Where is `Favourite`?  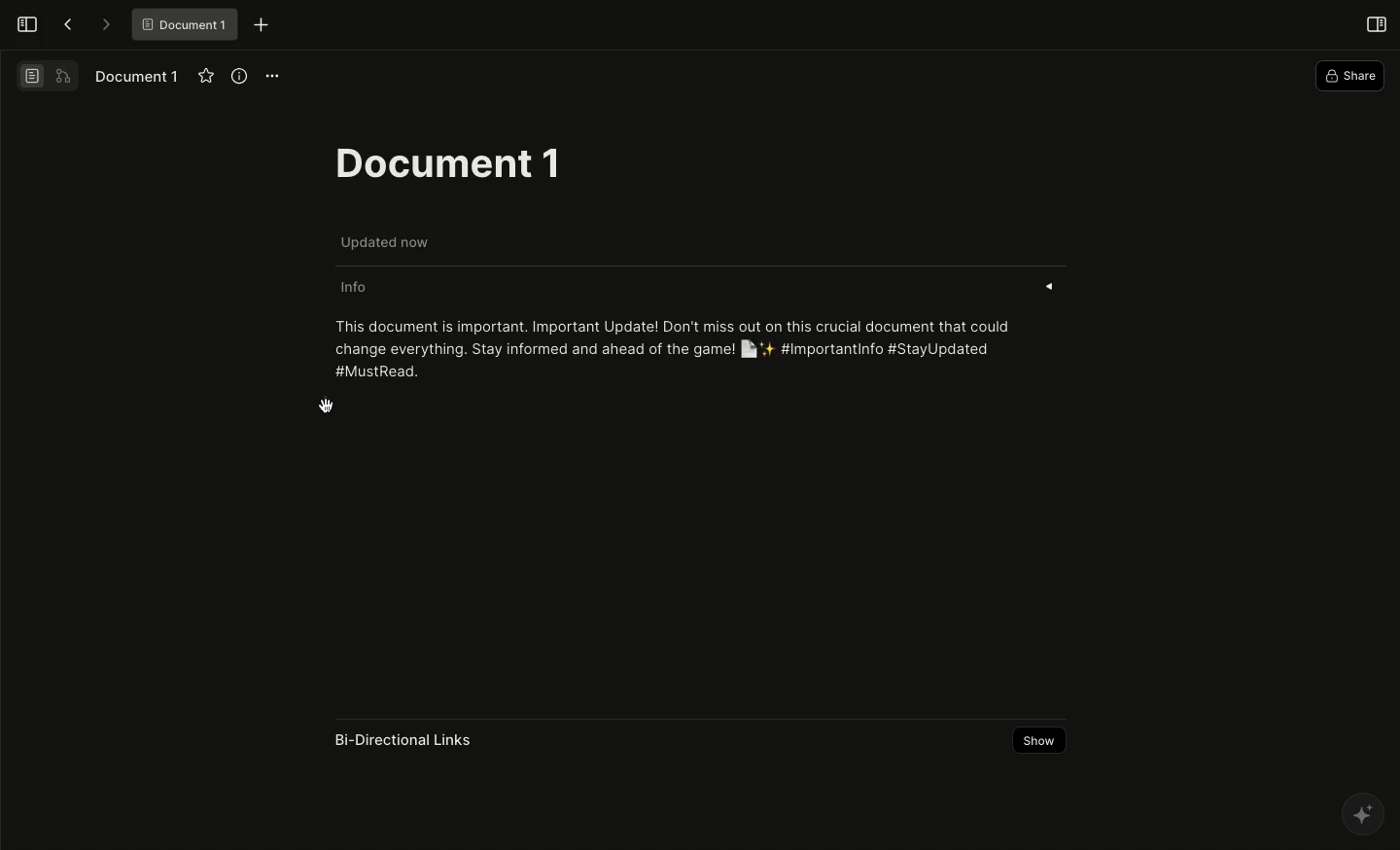
Favourite is located at coordinates (205, 76).